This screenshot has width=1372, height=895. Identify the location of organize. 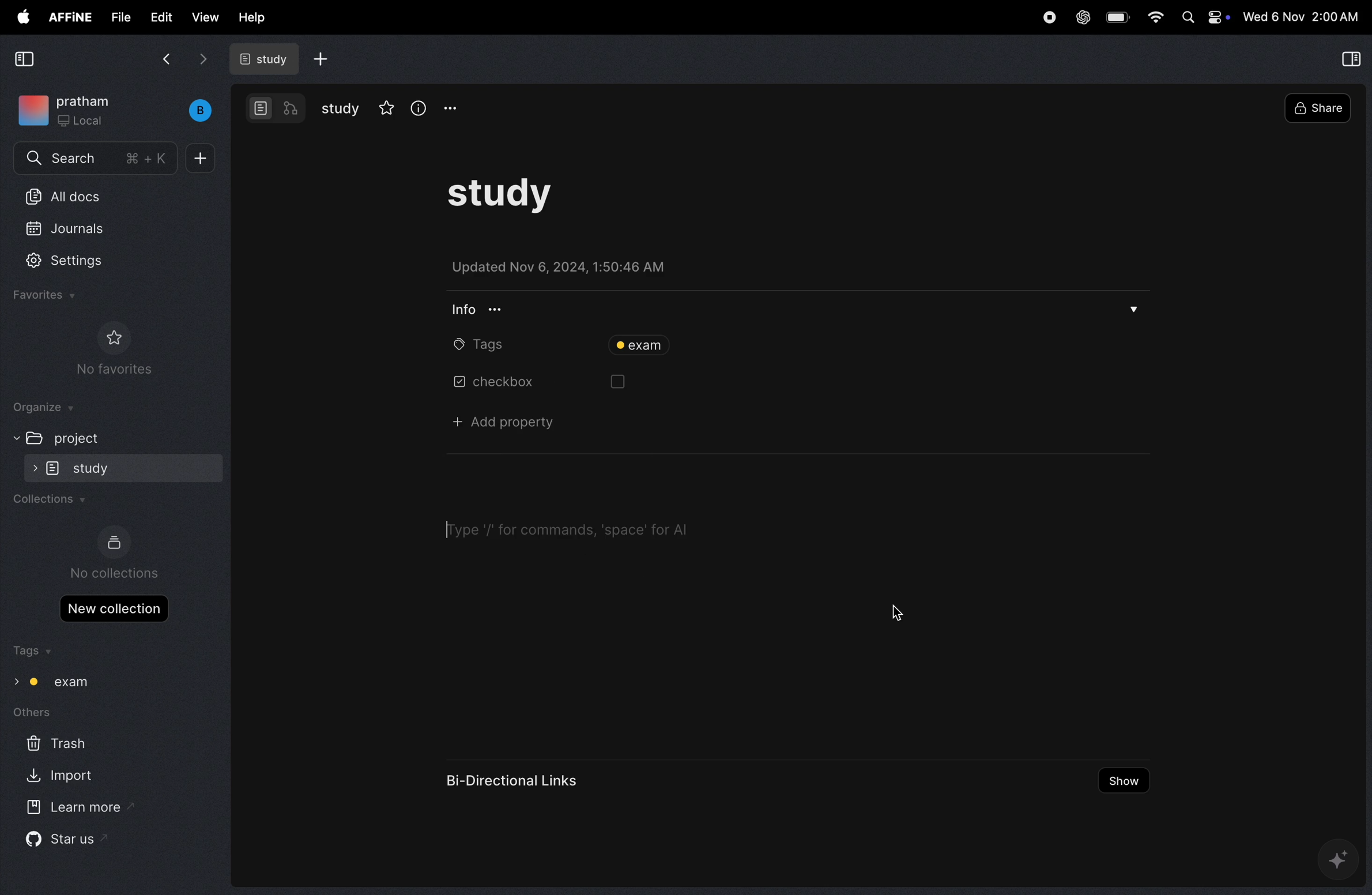
(38, 408).